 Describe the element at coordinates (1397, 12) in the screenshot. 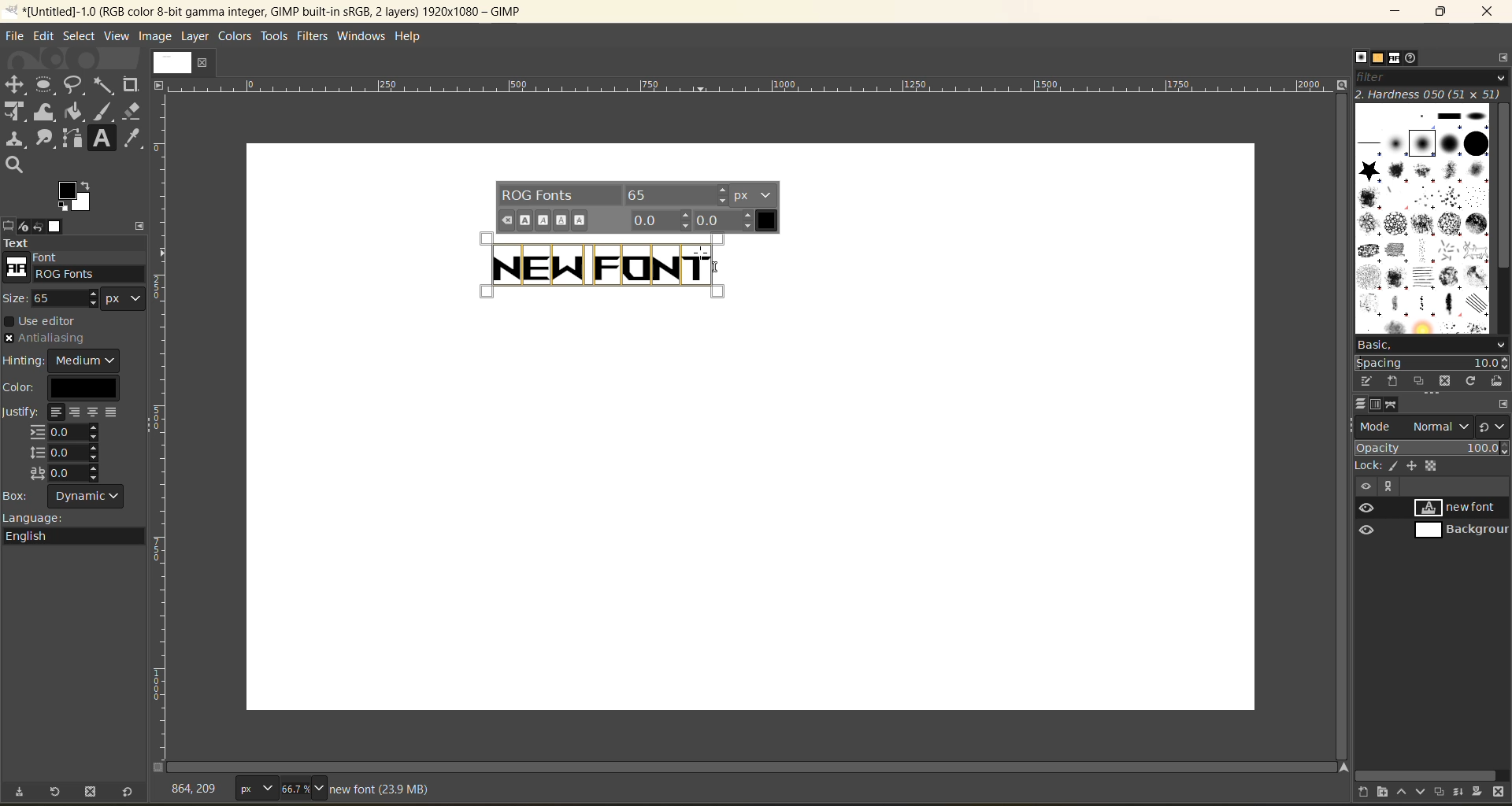

I see `minimize` at that location.